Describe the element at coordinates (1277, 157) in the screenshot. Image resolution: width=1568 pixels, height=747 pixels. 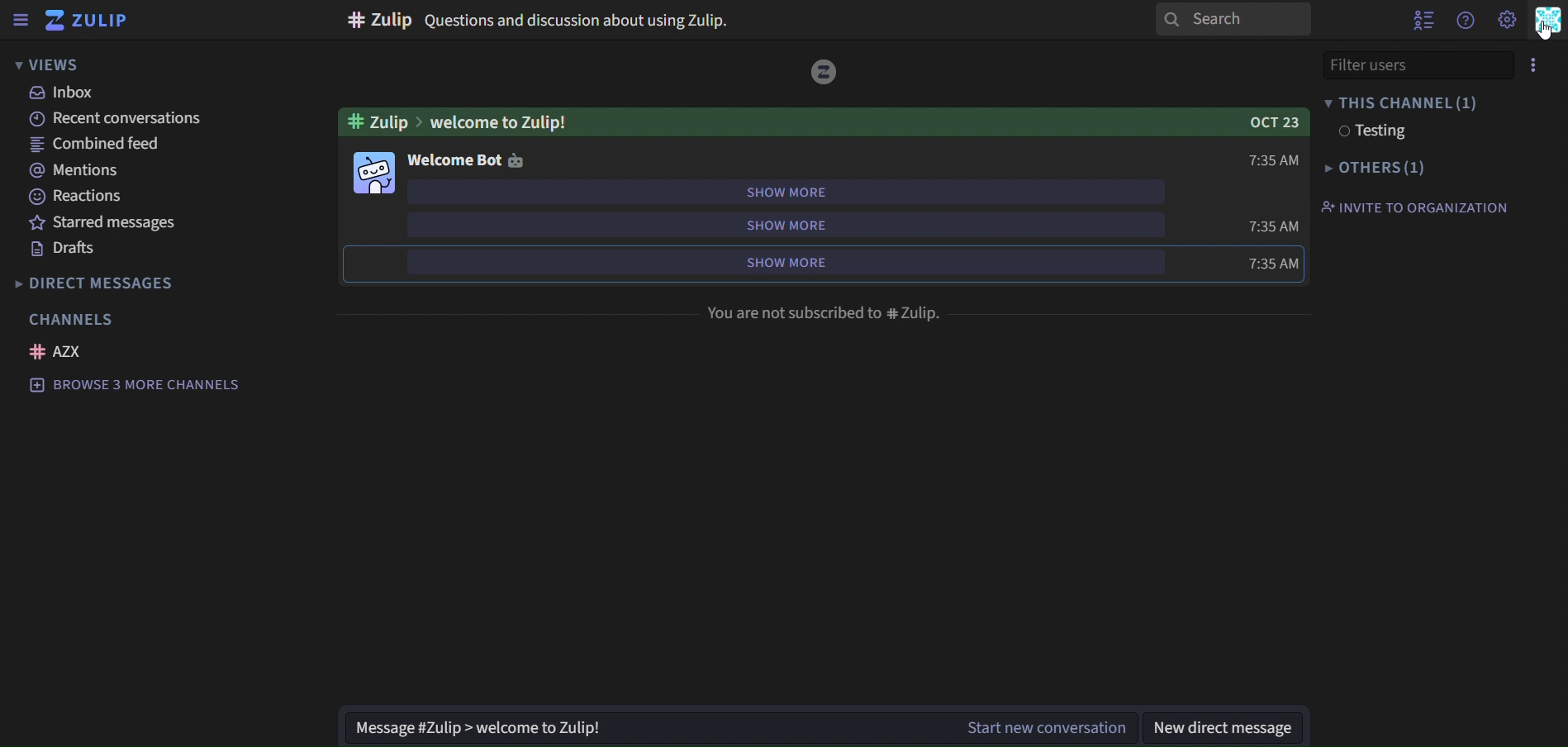
I see `time` at that location.